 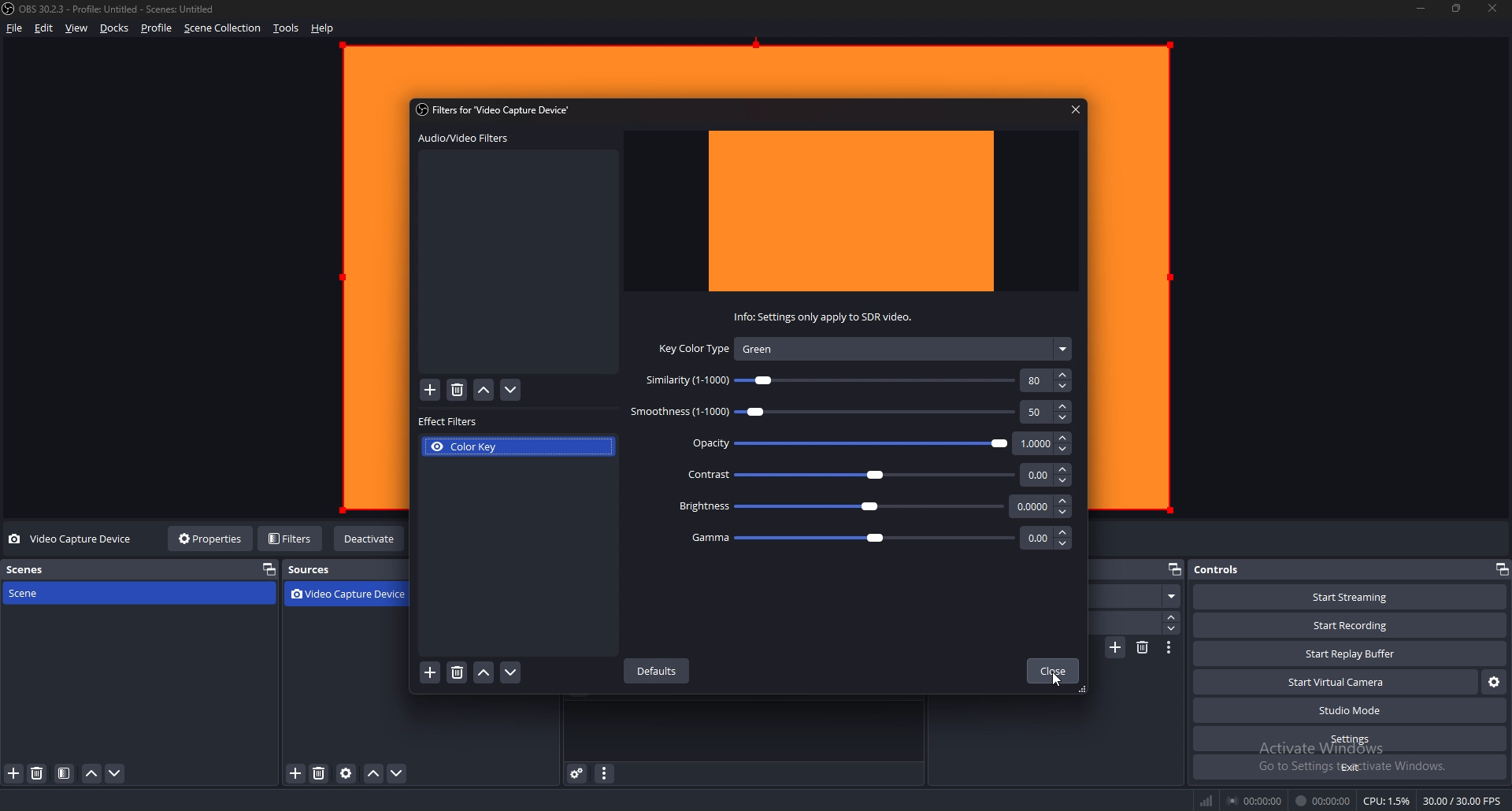 I want to click on transition properties, so click(x=1168, y=647).